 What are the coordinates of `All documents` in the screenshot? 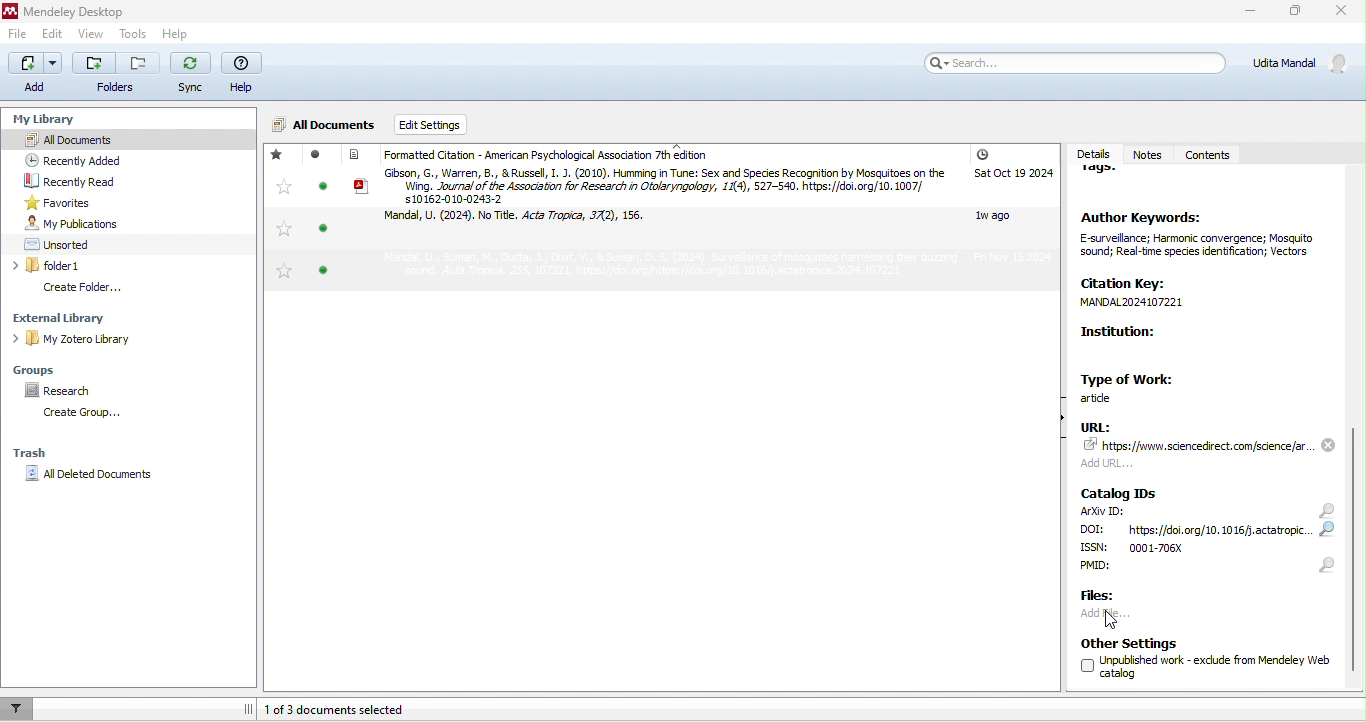 It's located at (325, 126).